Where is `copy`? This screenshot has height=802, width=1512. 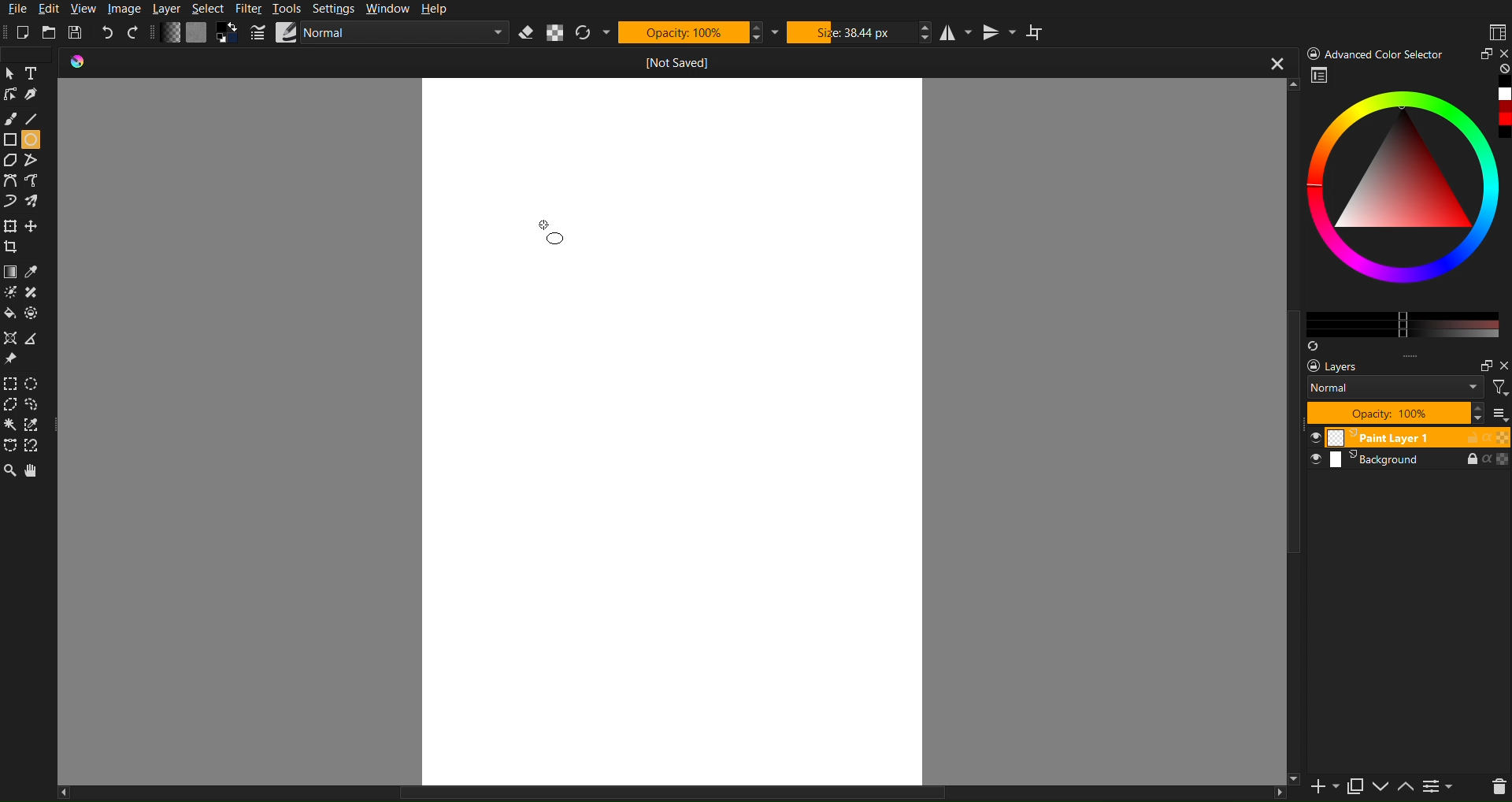 copy is located at coordinates (1352, 788).